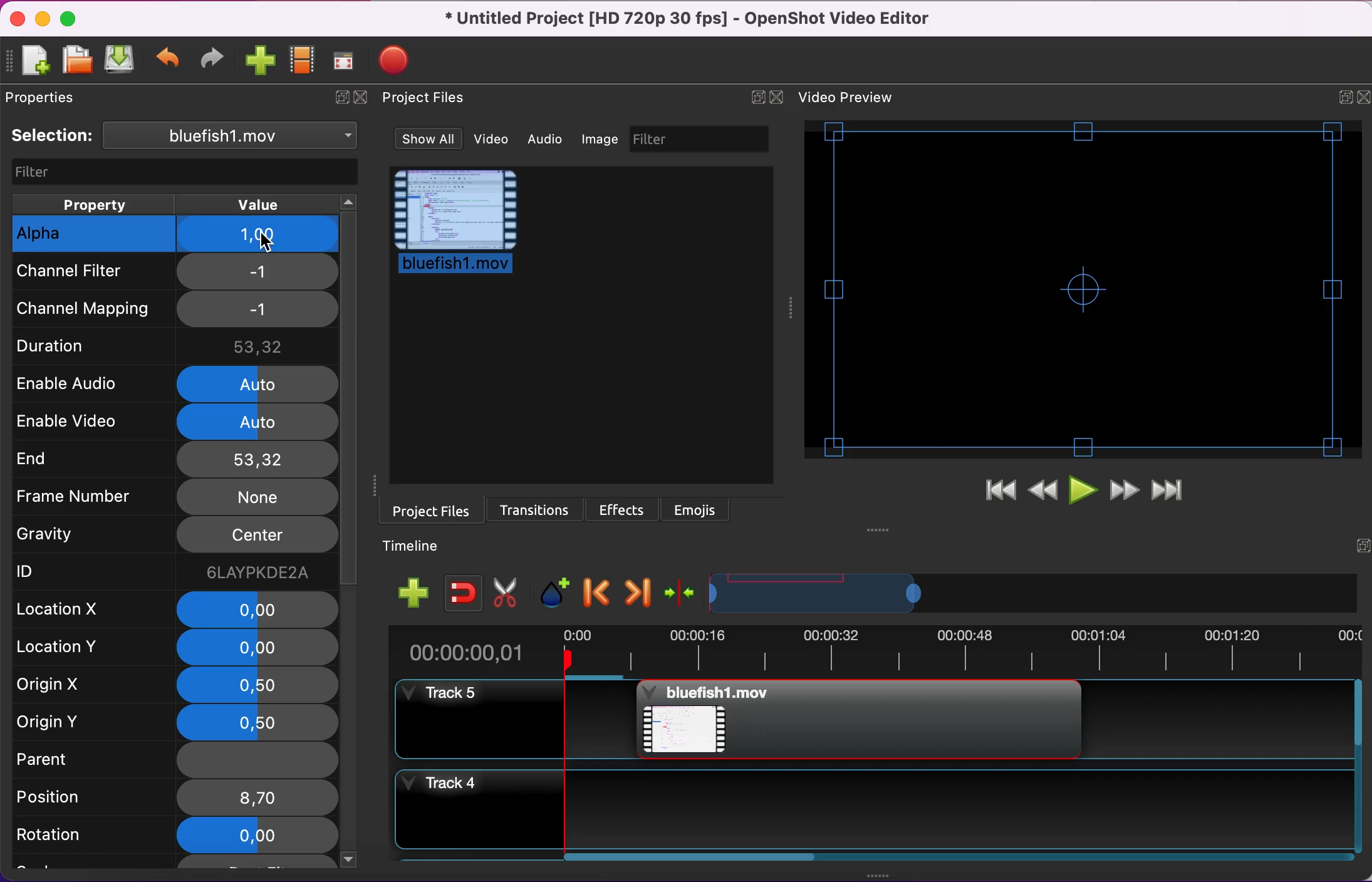 The height and width of the screenshot is (882, 1372). Describe the element at coordinates (261, 723) in the screenshot. I see `0,5` at that location.